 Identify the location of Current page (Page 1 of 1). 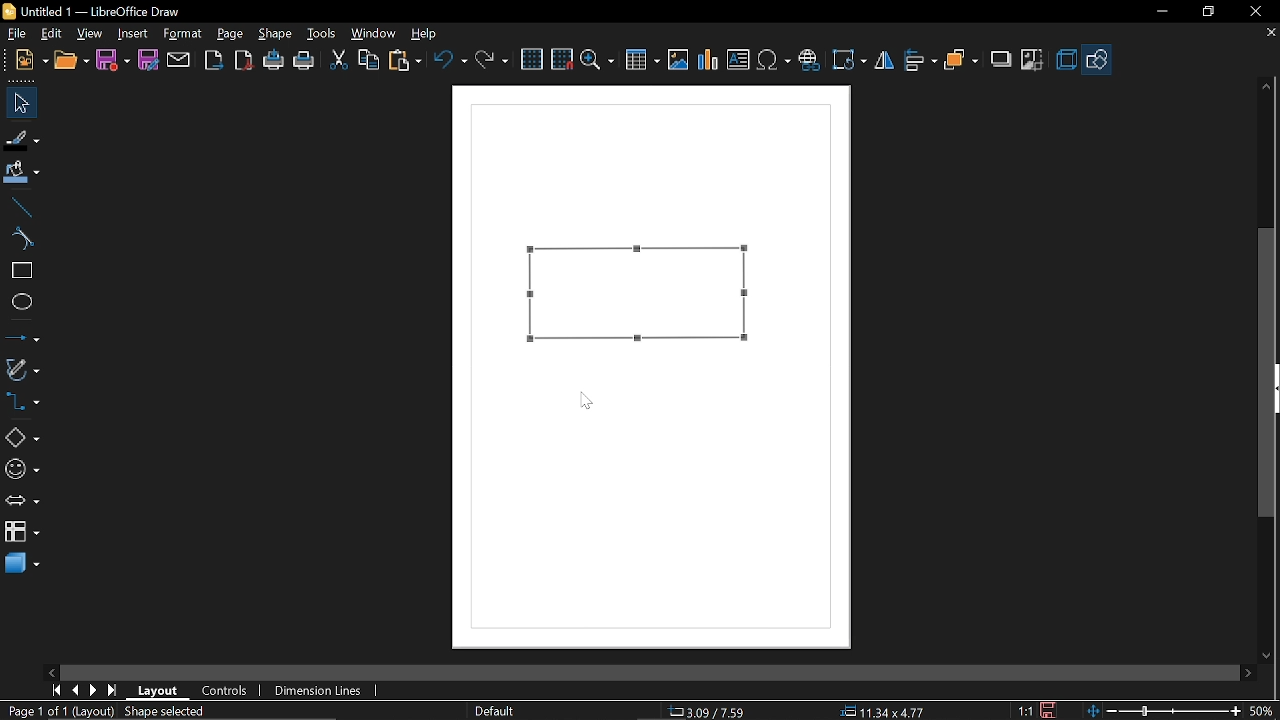
(34, 710).